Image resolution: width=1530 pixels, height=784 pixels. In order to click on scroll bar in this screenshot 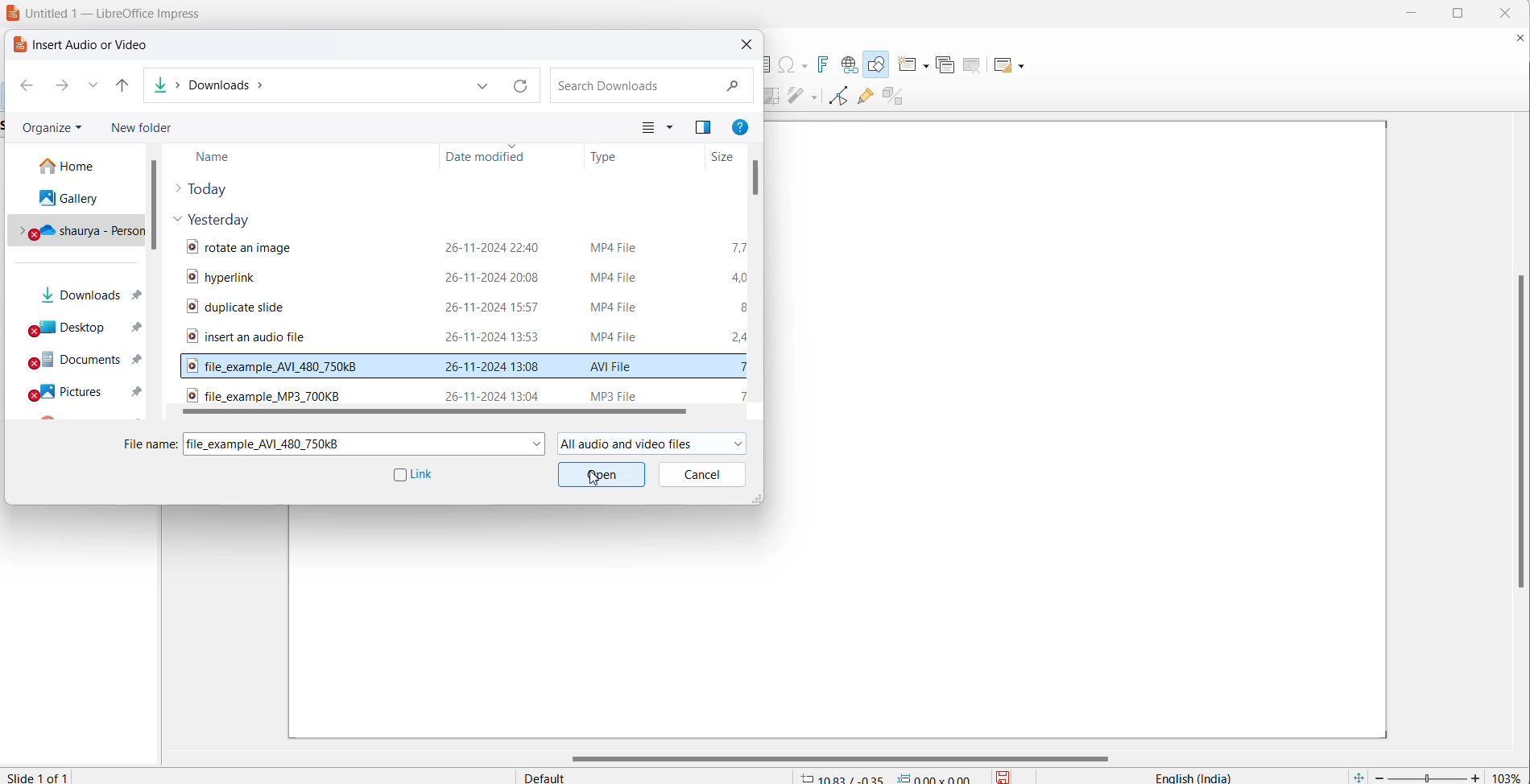, I will do `click(156, 204)`.